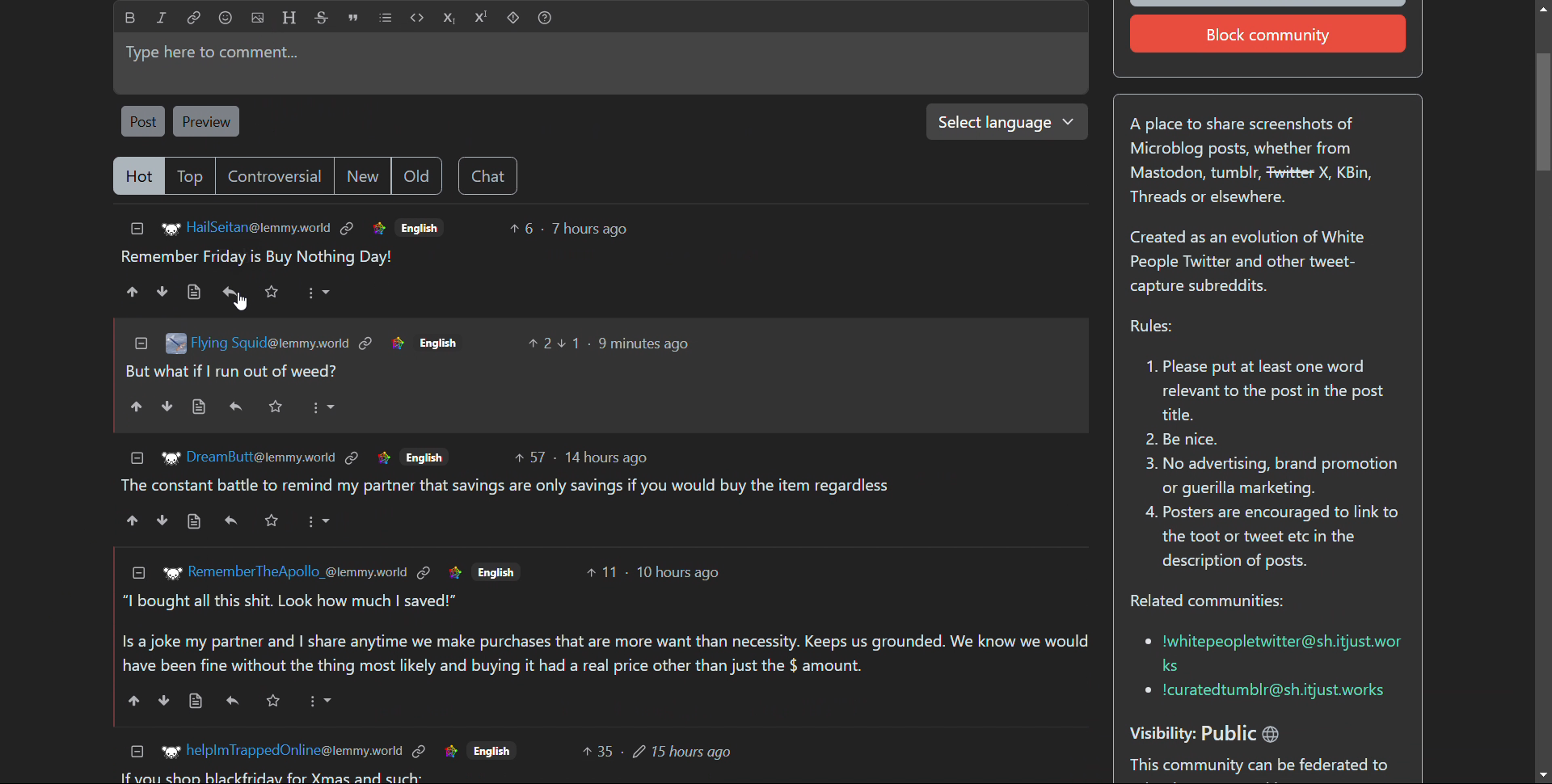 Image resolution: width=1552 pixels, height=784 pixels. Describe the element at coordinates (1261, 391) in the screenshot. I see `1. Please put at least one word relevant to the post in the post title.` at that location.